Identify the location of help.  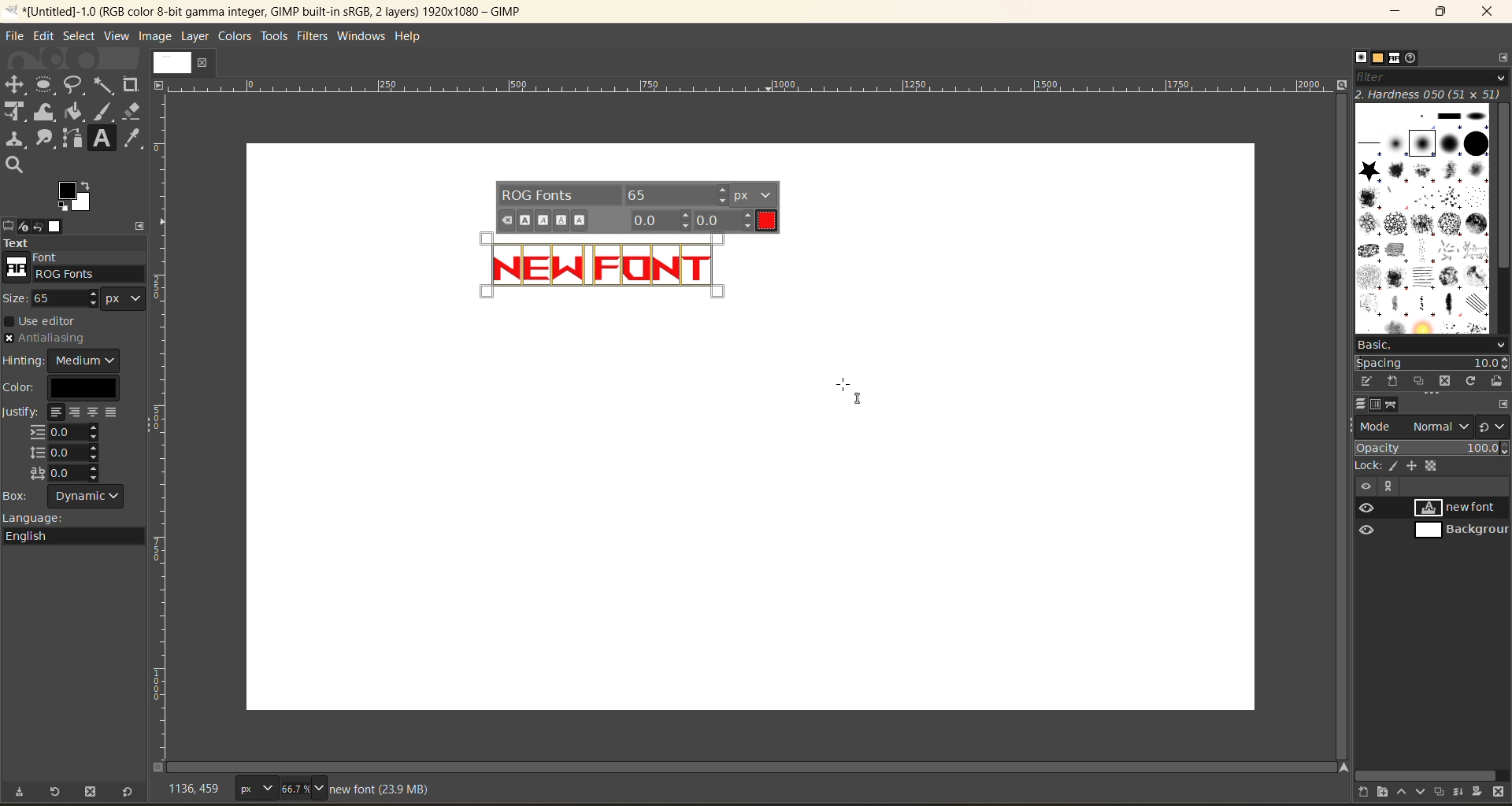
(416, 39).